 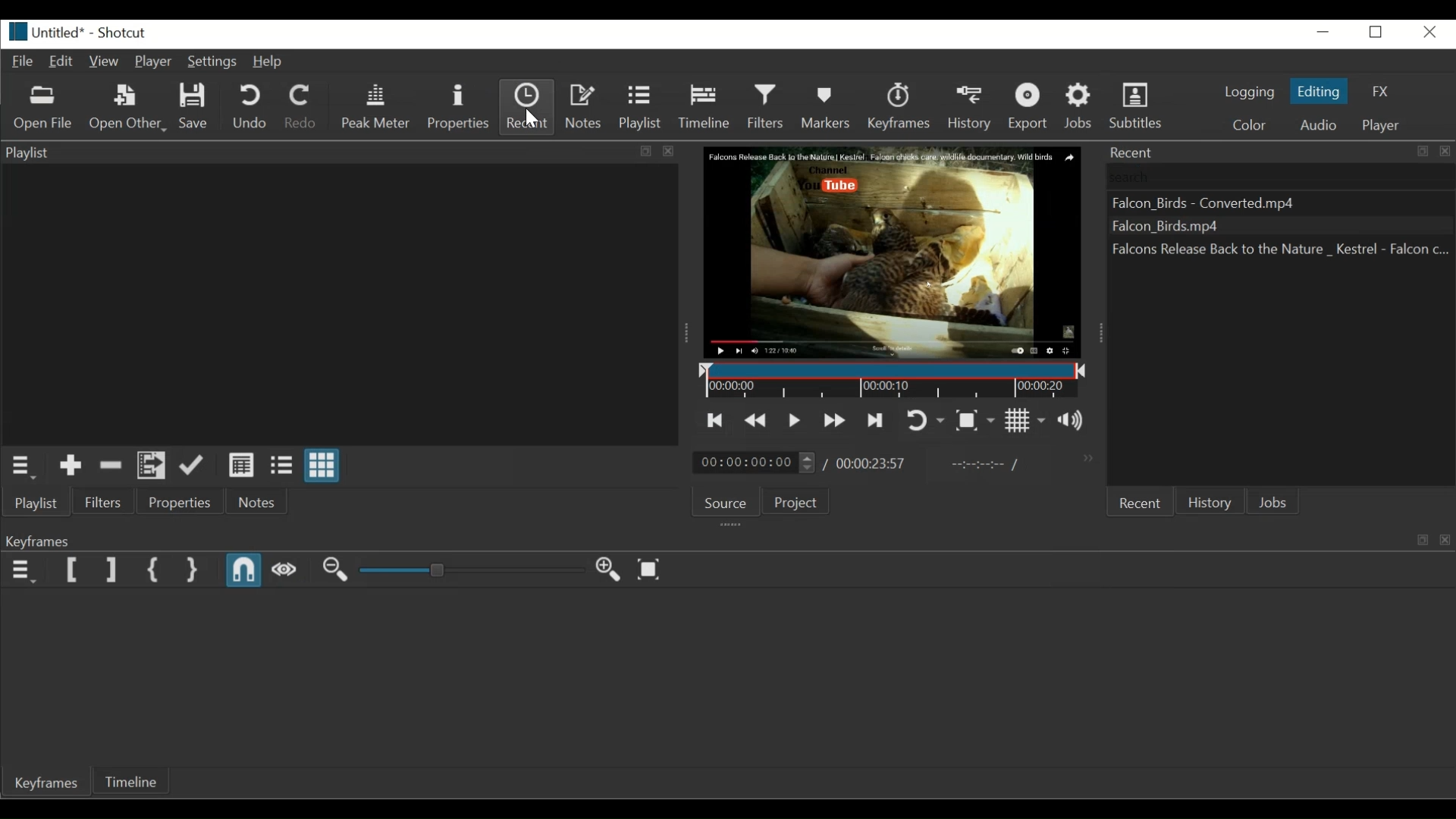 I want to click on Timeline, so click(x=136, y=783).